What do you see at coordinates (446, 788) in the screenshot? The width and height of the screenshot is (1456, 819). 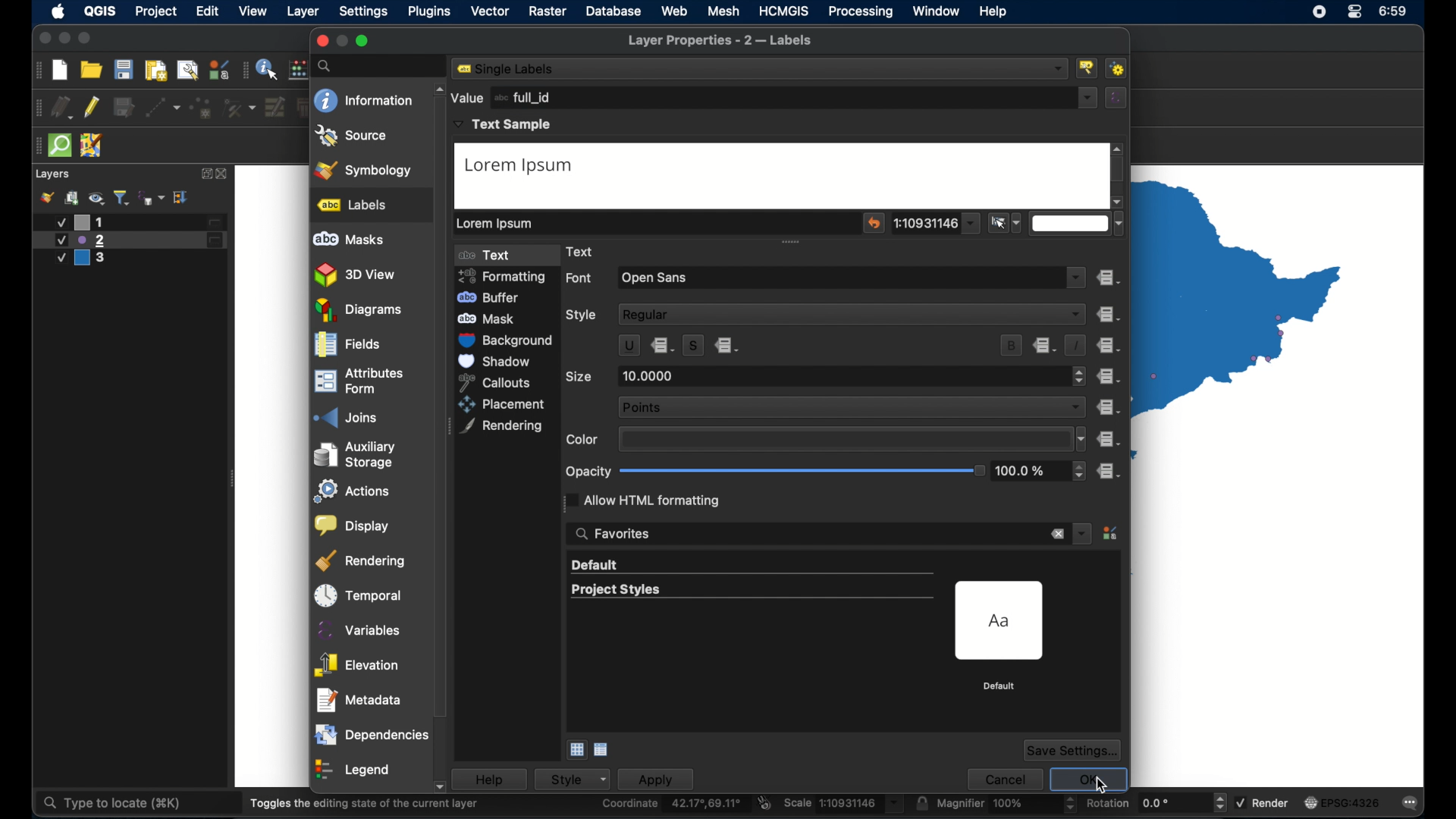 I see `scroll down arrow` at bounding box center [446, 788].